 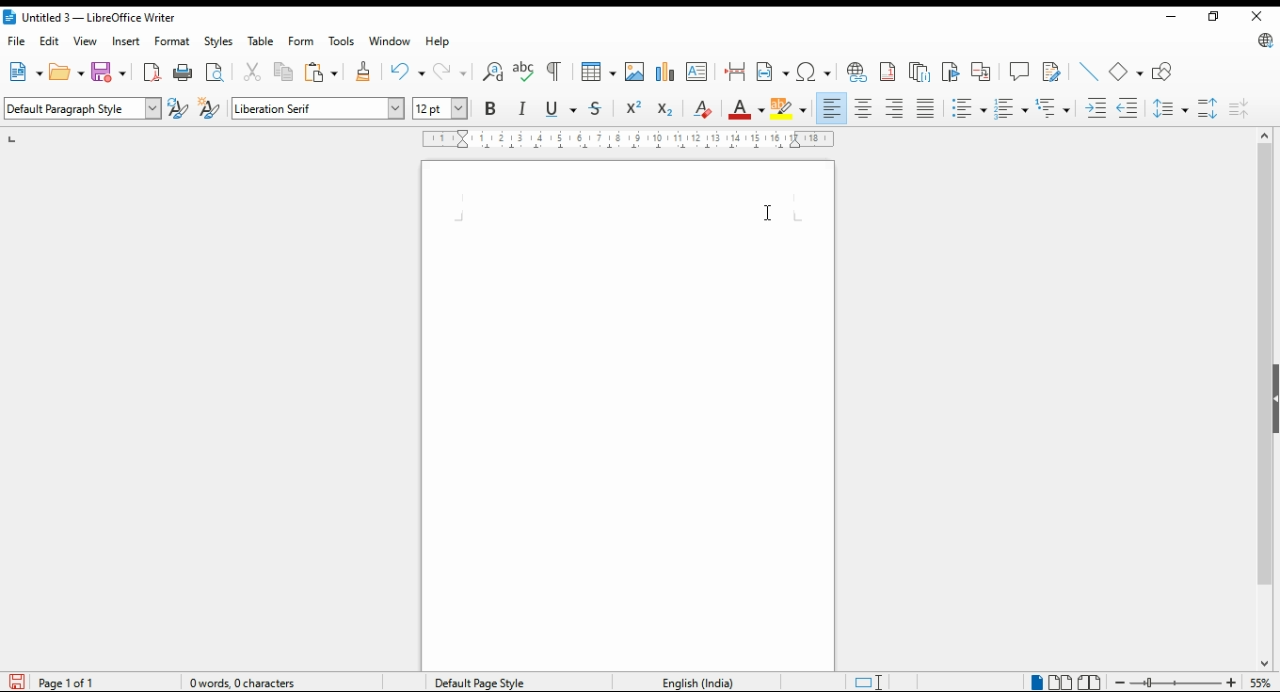 What do you see at coordinates (250, 682) in the screenshot?
I see `document information` at bounding box center [250, 682].